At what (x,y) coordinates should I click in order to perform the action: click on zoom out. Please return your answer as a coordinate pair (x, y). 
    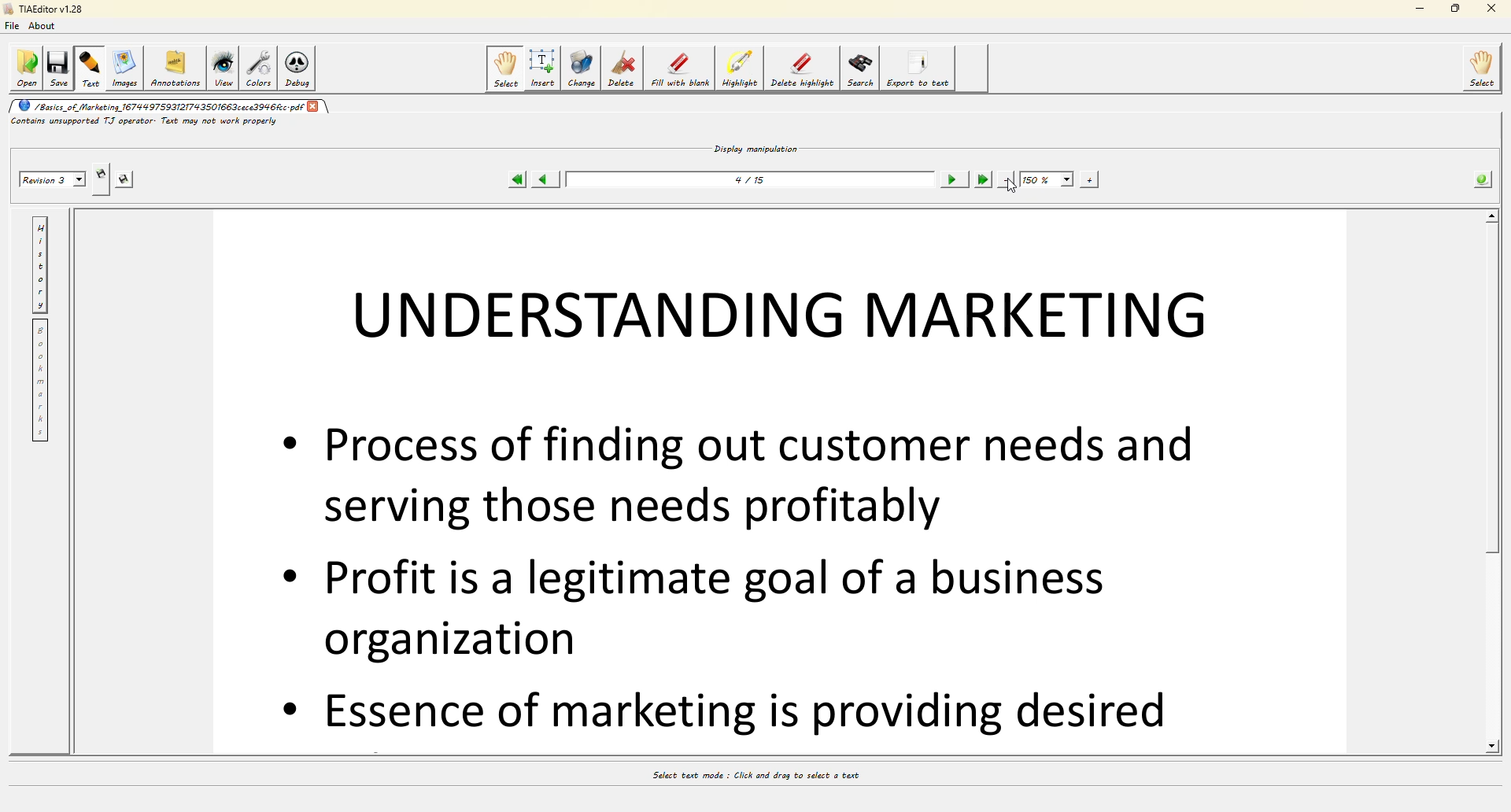
    Looking at the image, I should click on (1005, 179).